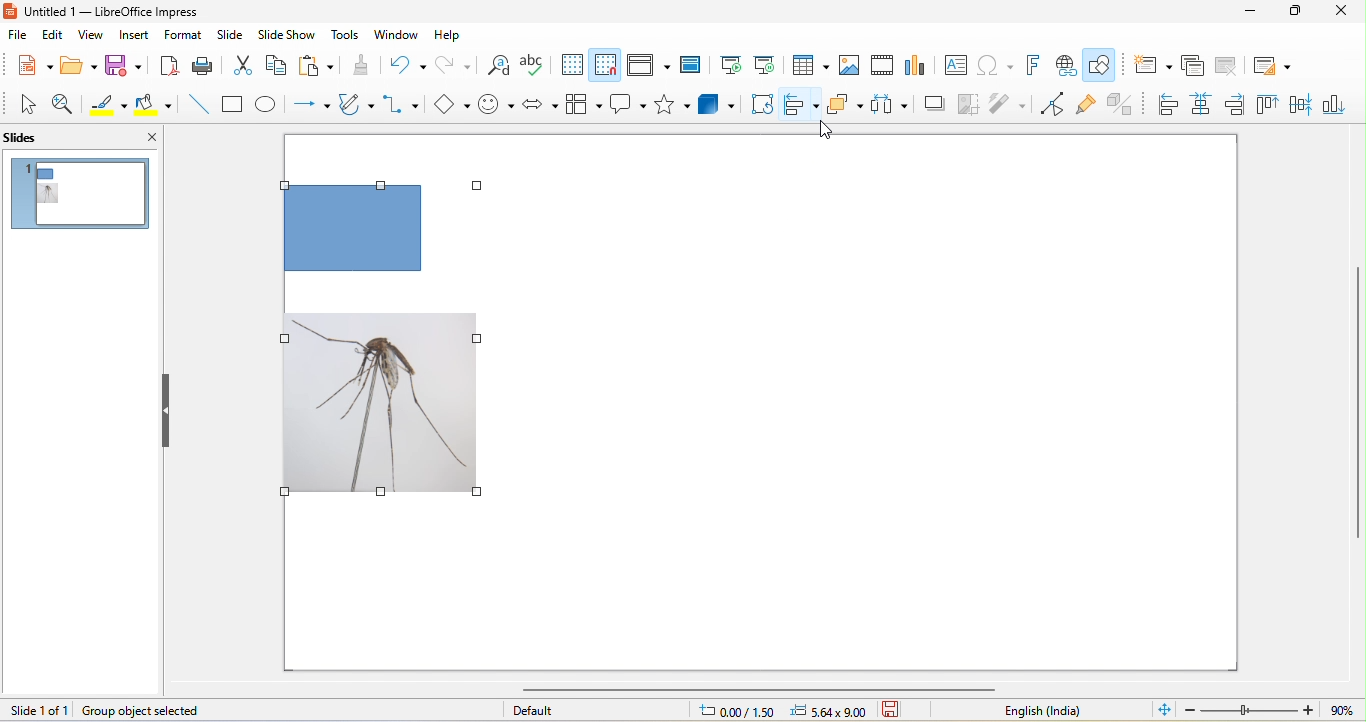 This screenshot has height=722, width=1366. I want to click on bottom, so click(1338, 109).